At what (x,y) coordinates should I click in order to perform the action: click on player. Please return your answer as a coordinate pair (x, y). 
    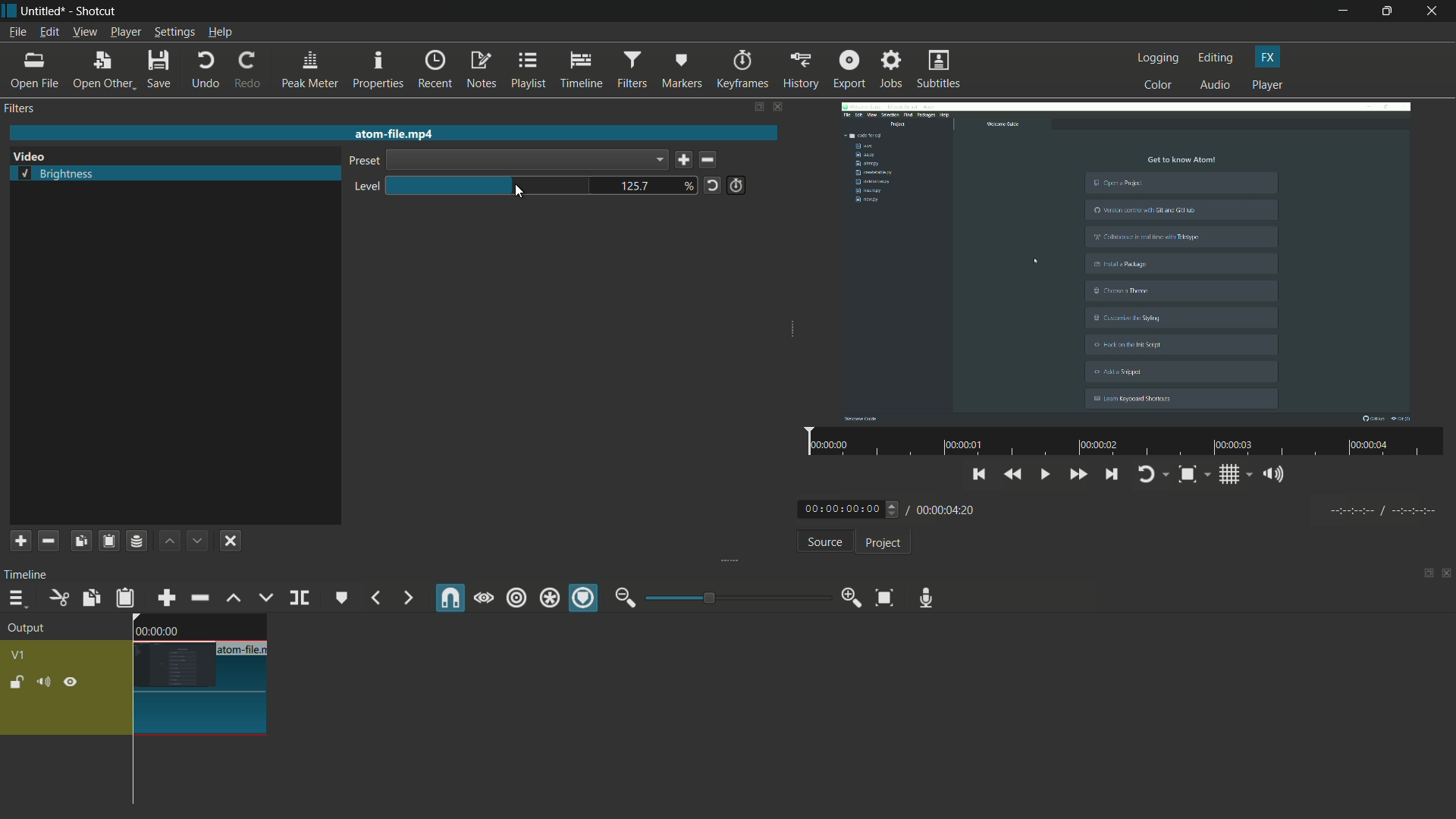
    Looking at the image, I should click on (1267, 86).